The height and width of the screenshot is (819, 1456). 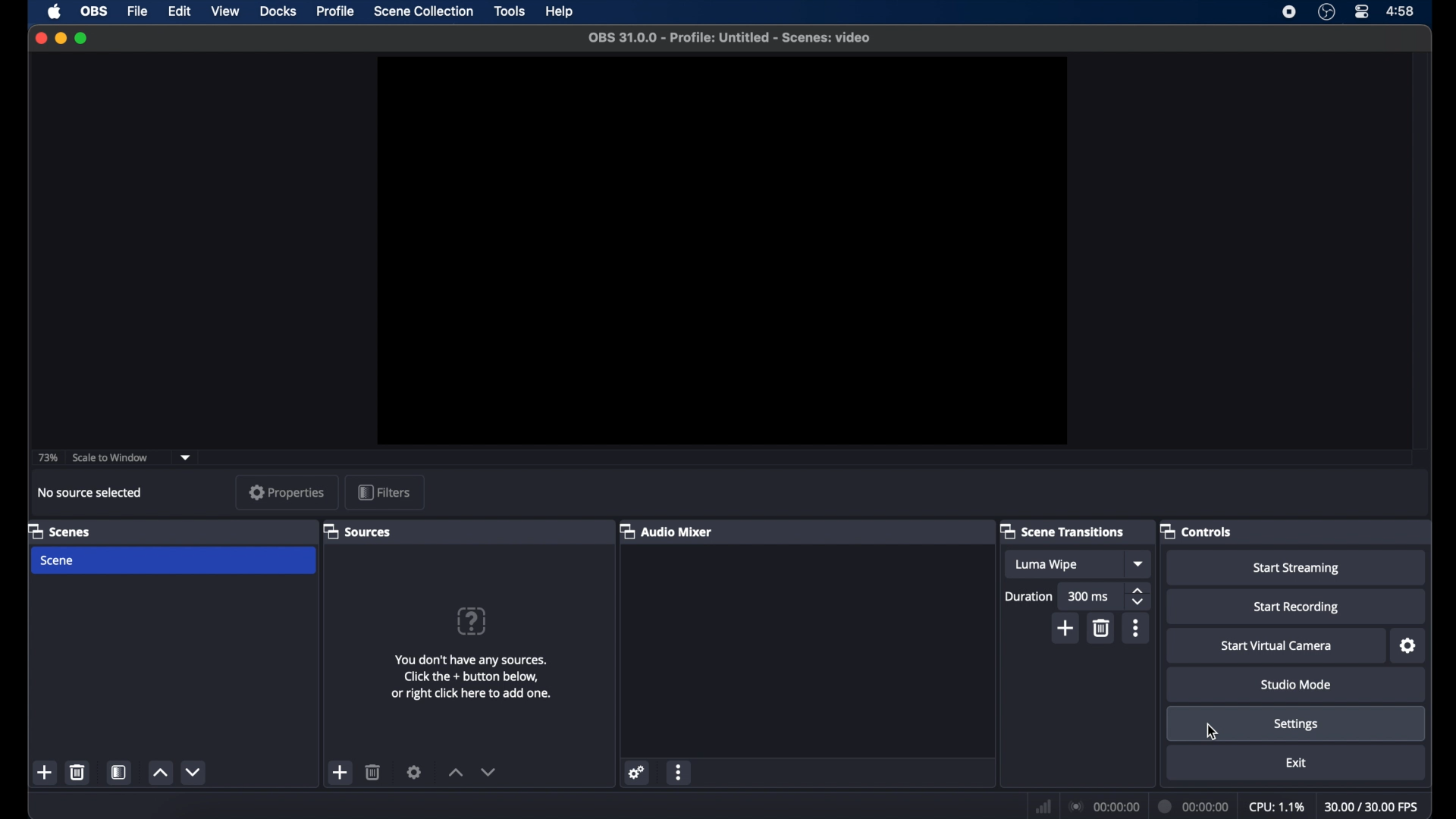 What do you see at coordinates (637, 772) in the screenshot?
I see `settings` at bounding box center [637, 772].